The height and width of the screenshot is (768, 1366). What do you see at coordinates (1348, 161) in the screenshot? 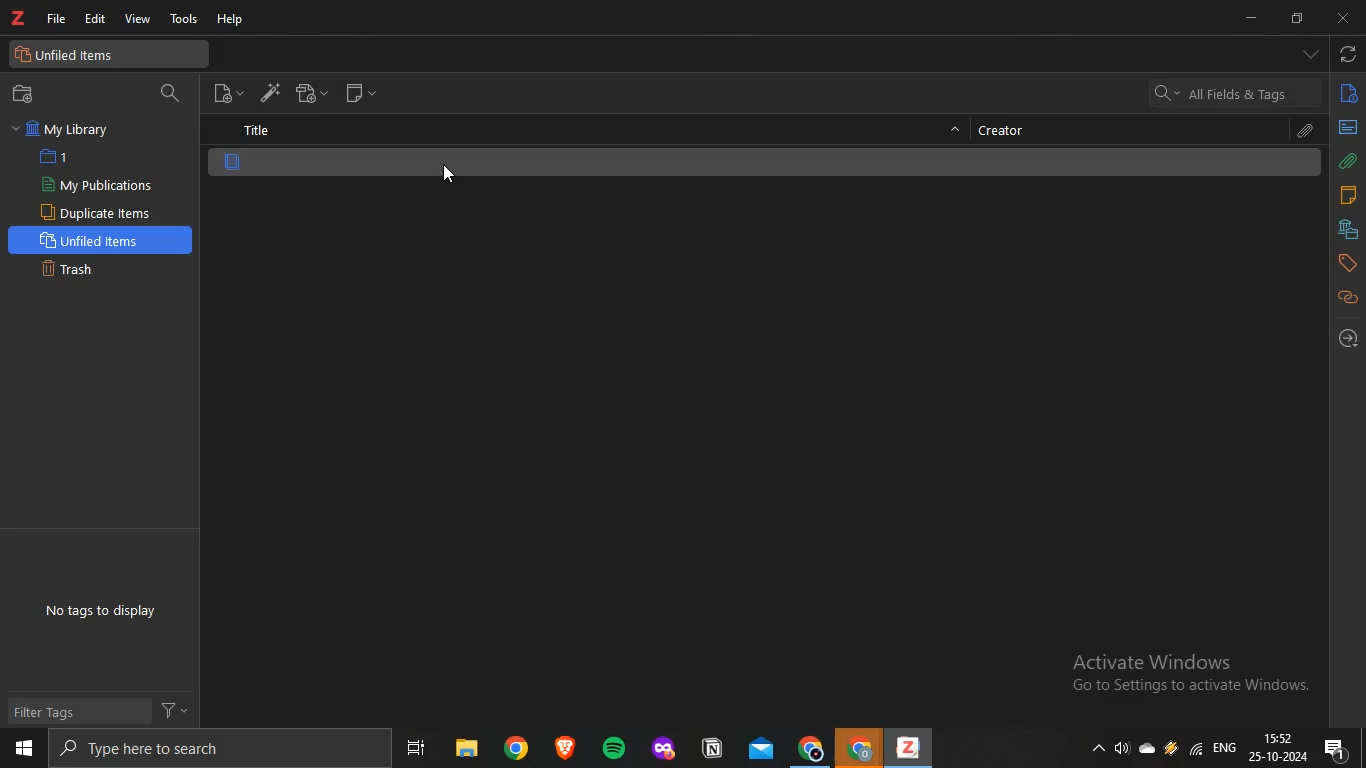
I see `attachments` at bounding box center [1348, 161].